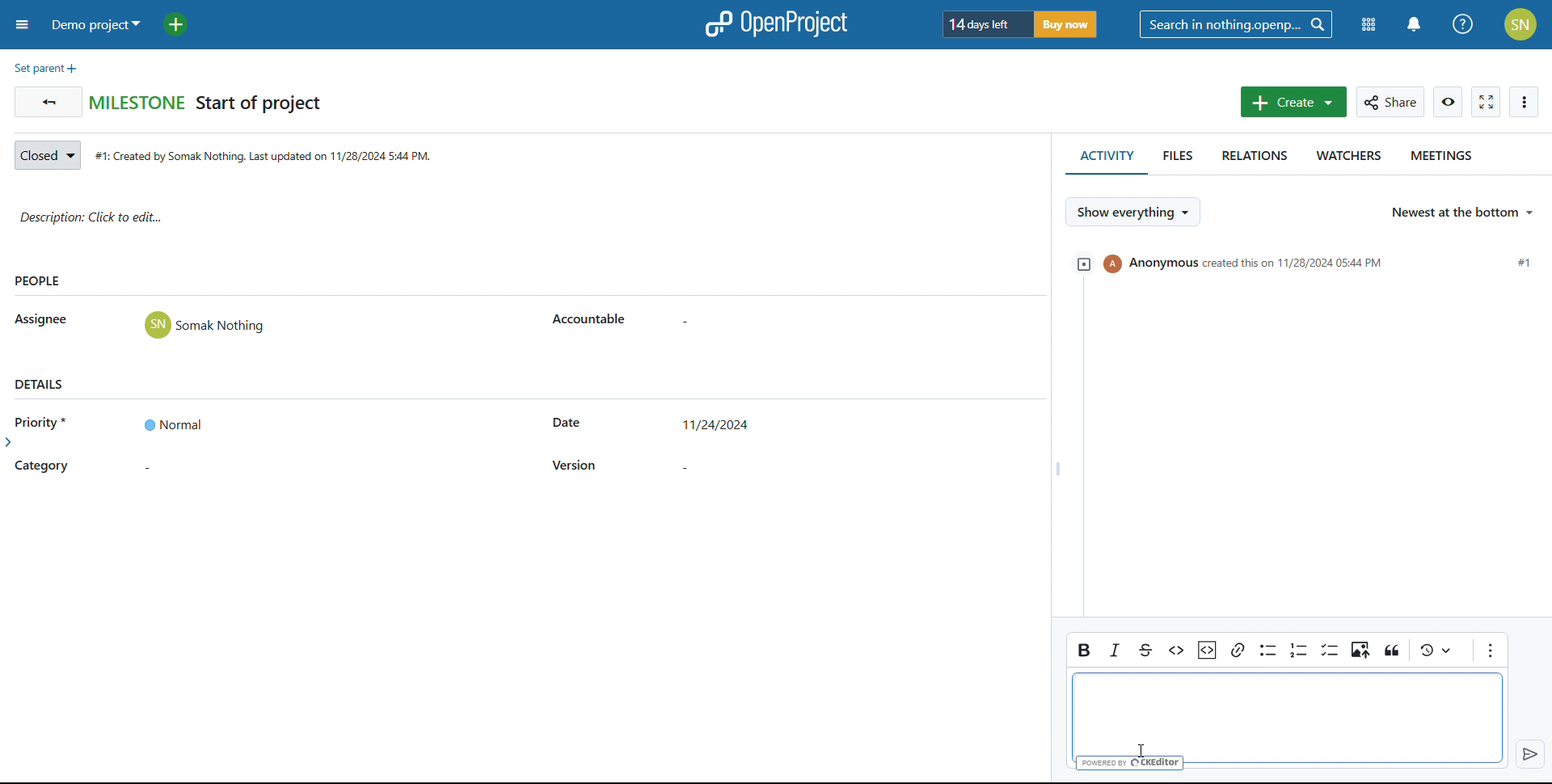 The image size is (1552, 784). What do you see at coordinates (1132, 211) in the screenshot?
I see `selct what to show` at bounding box center [1132, 211].